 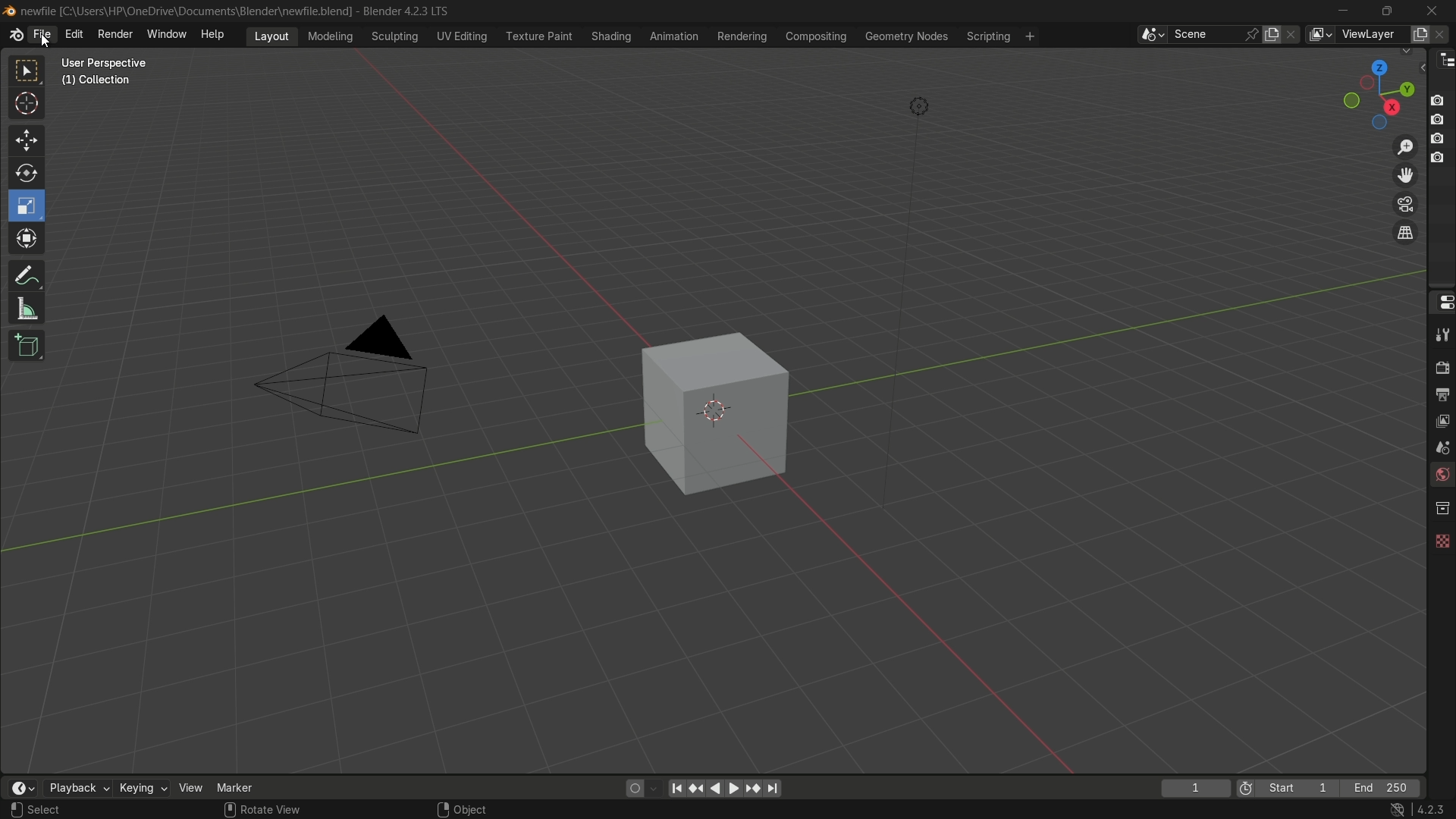 What do you see at coordinates (1386, 10) in the screenshot?
I see `maximize or restore` at bounding box center [1386, 10].